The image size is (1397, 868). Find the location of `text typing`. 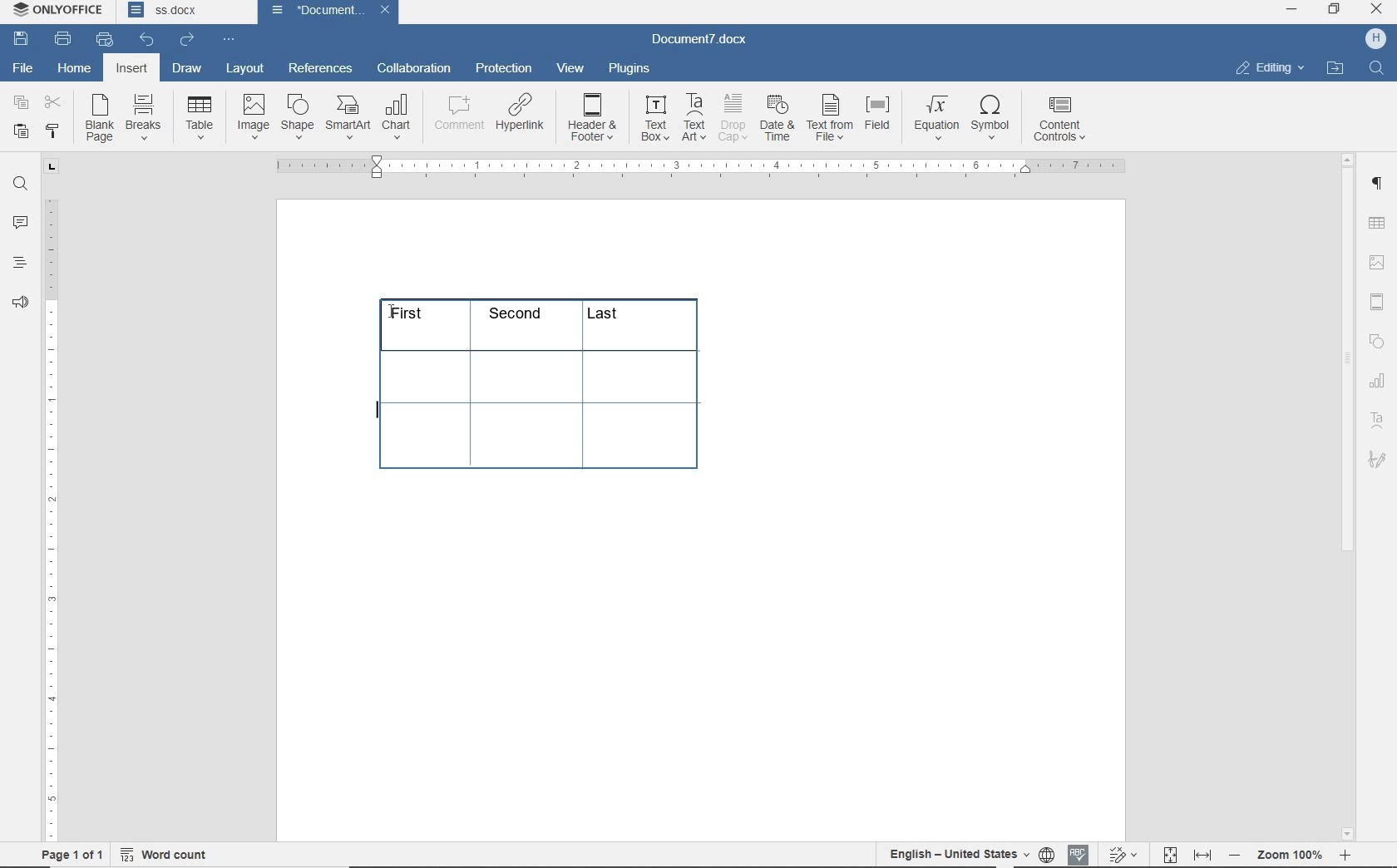

text typing is located at coordinates (374, 416).